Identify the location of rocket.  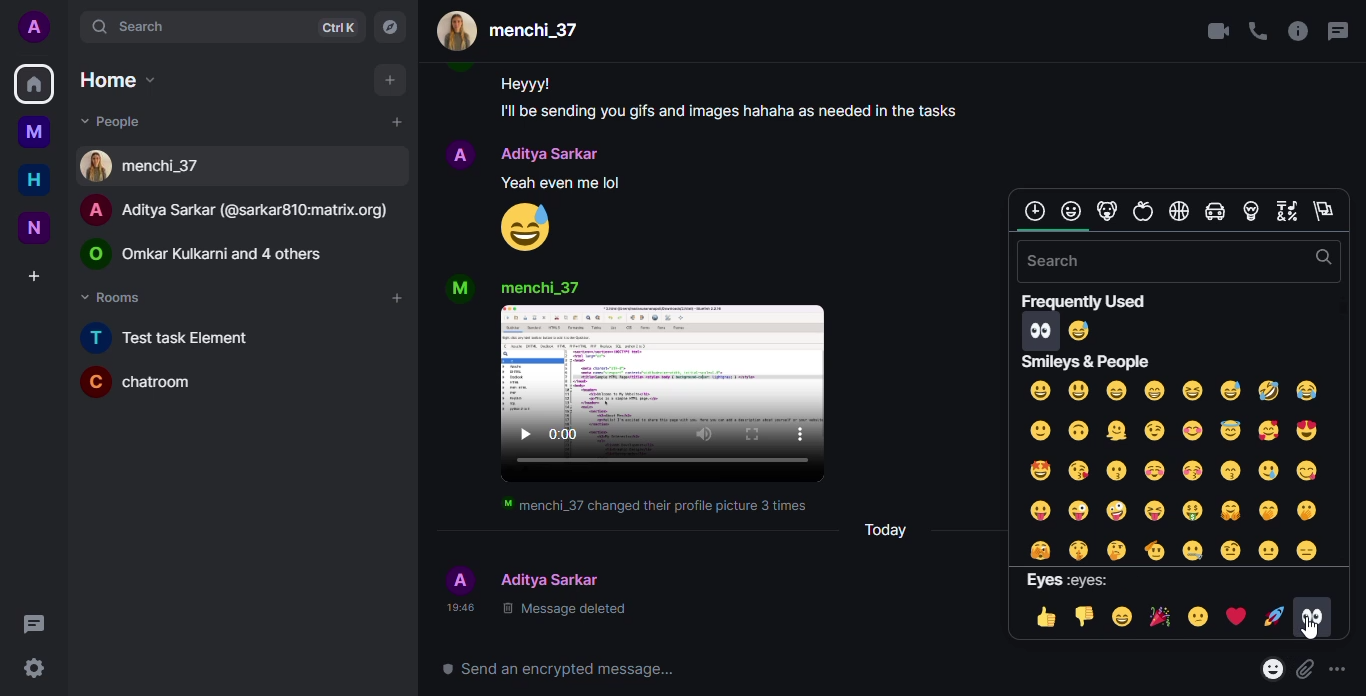
(1272, 618).